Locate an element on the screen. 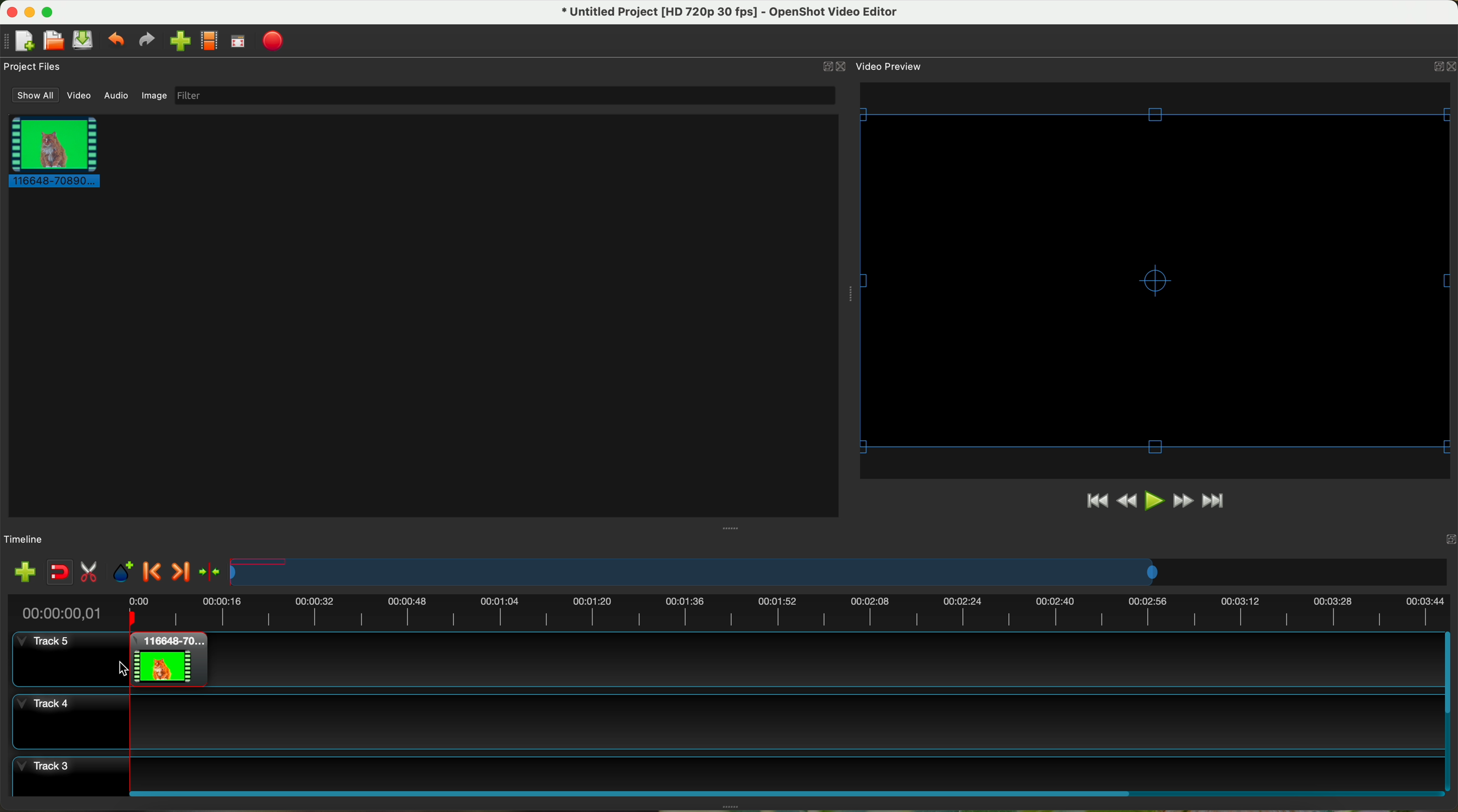 The image size is (1458, 812). timeline is located at coordinates (840, 572).